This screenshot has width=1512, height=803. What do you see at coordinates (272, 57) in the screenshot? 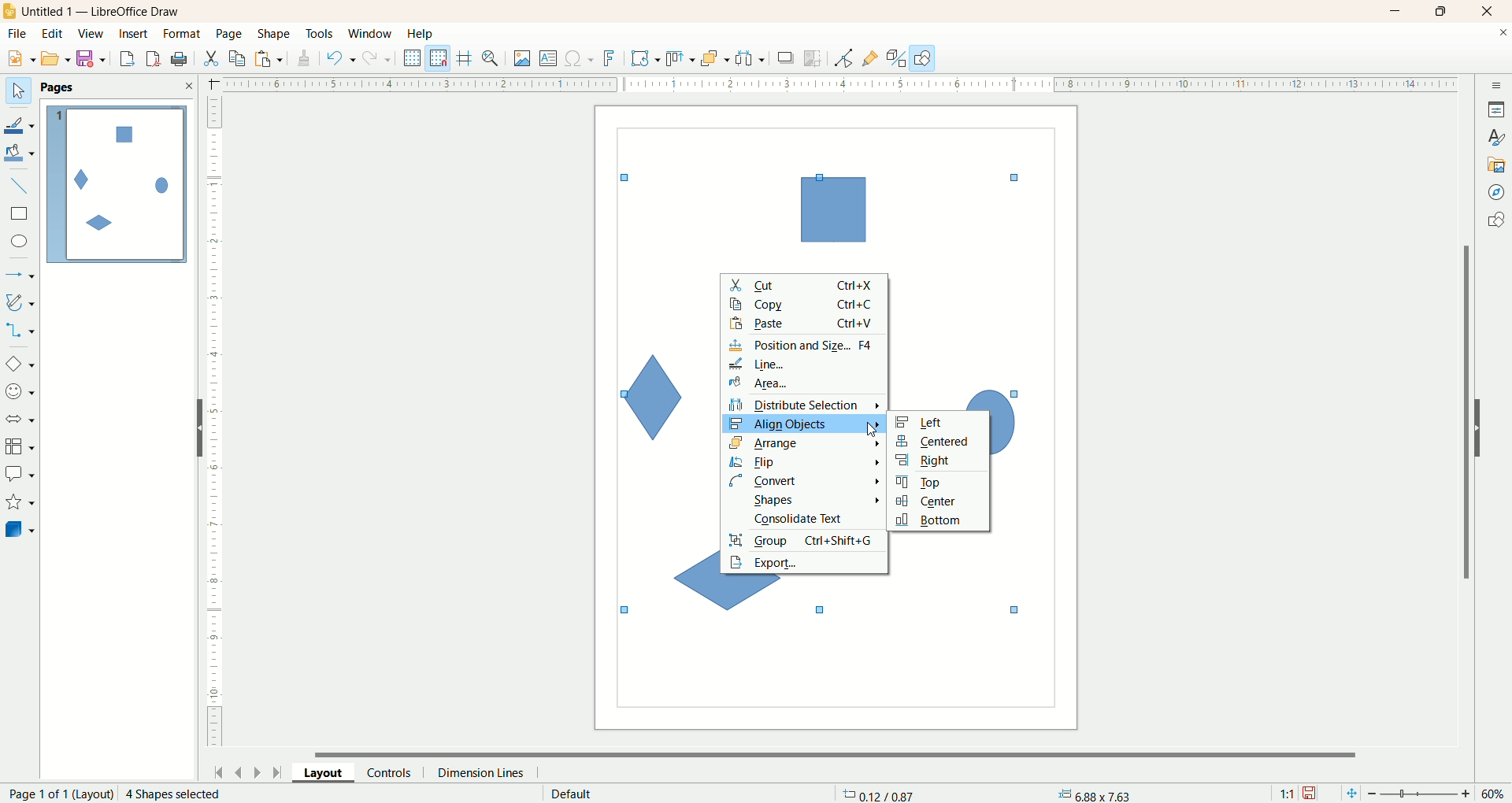
I see `paste` at bounding box center [272, 57].